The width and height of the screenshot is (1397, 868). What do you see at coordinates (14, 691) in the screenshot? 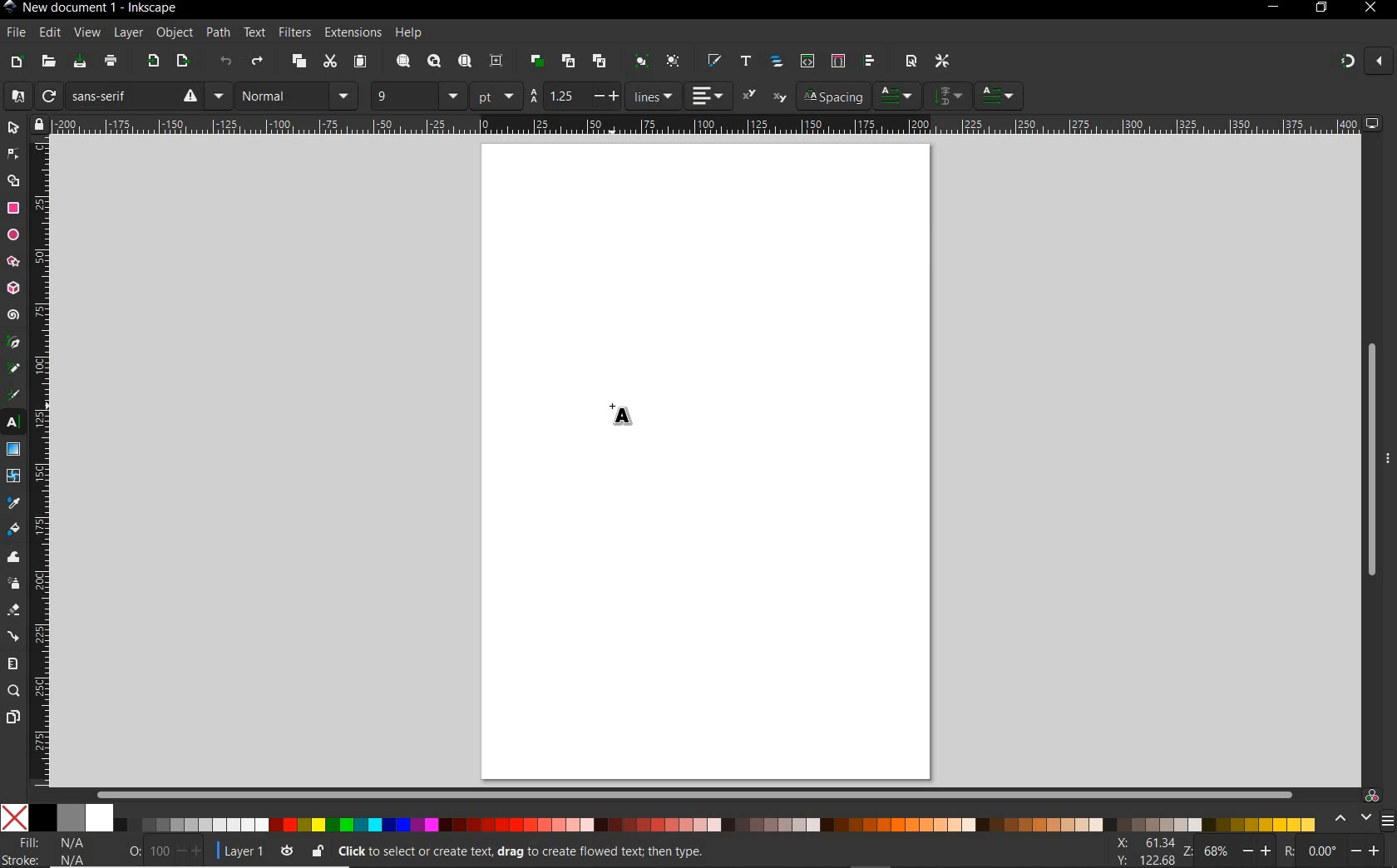
I see `zoom tool` at bounding box center [14, 691].